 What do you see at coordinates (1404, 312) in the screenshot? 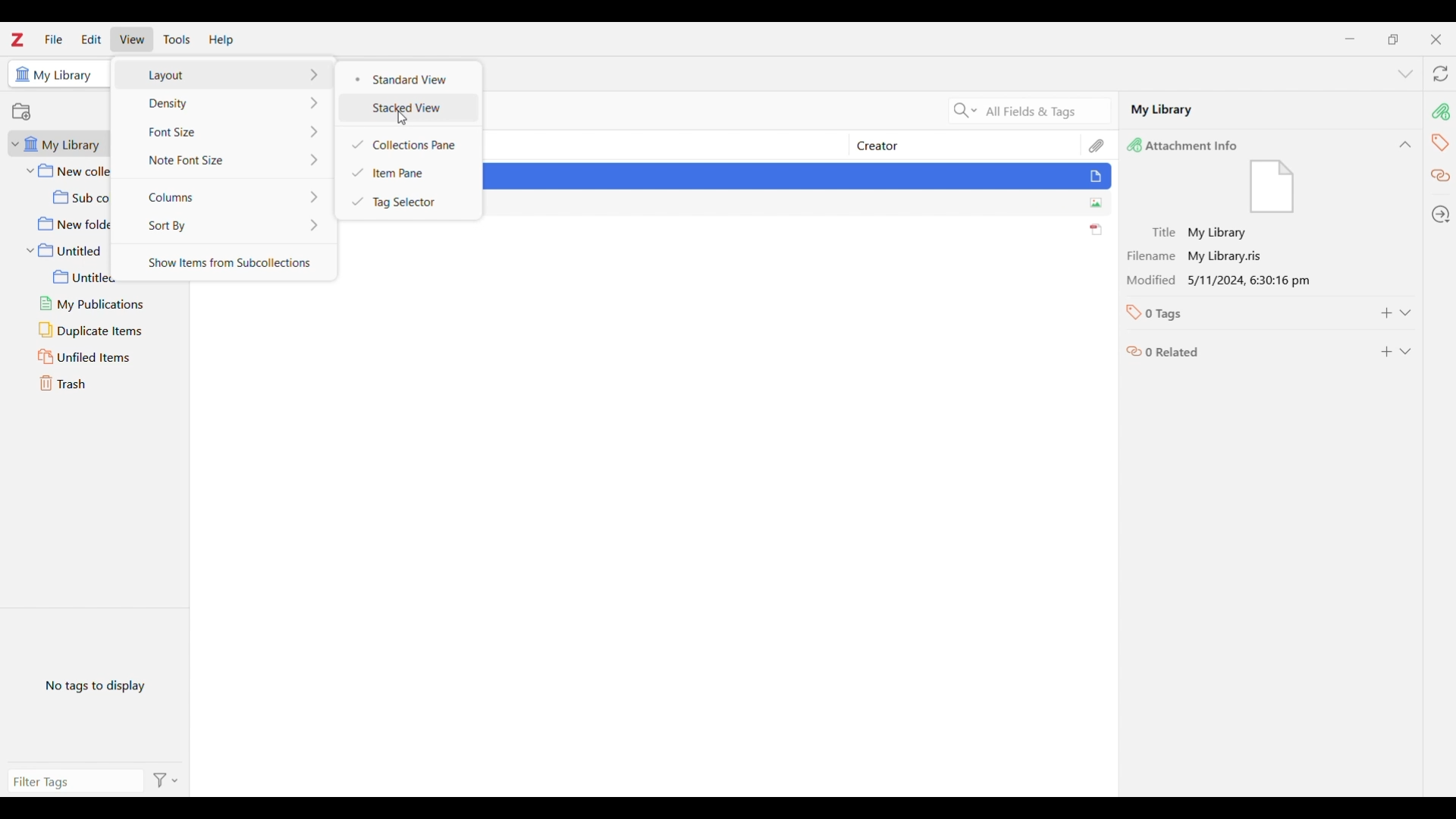
I see `Expand tags` at bounding box center [1404, 312].